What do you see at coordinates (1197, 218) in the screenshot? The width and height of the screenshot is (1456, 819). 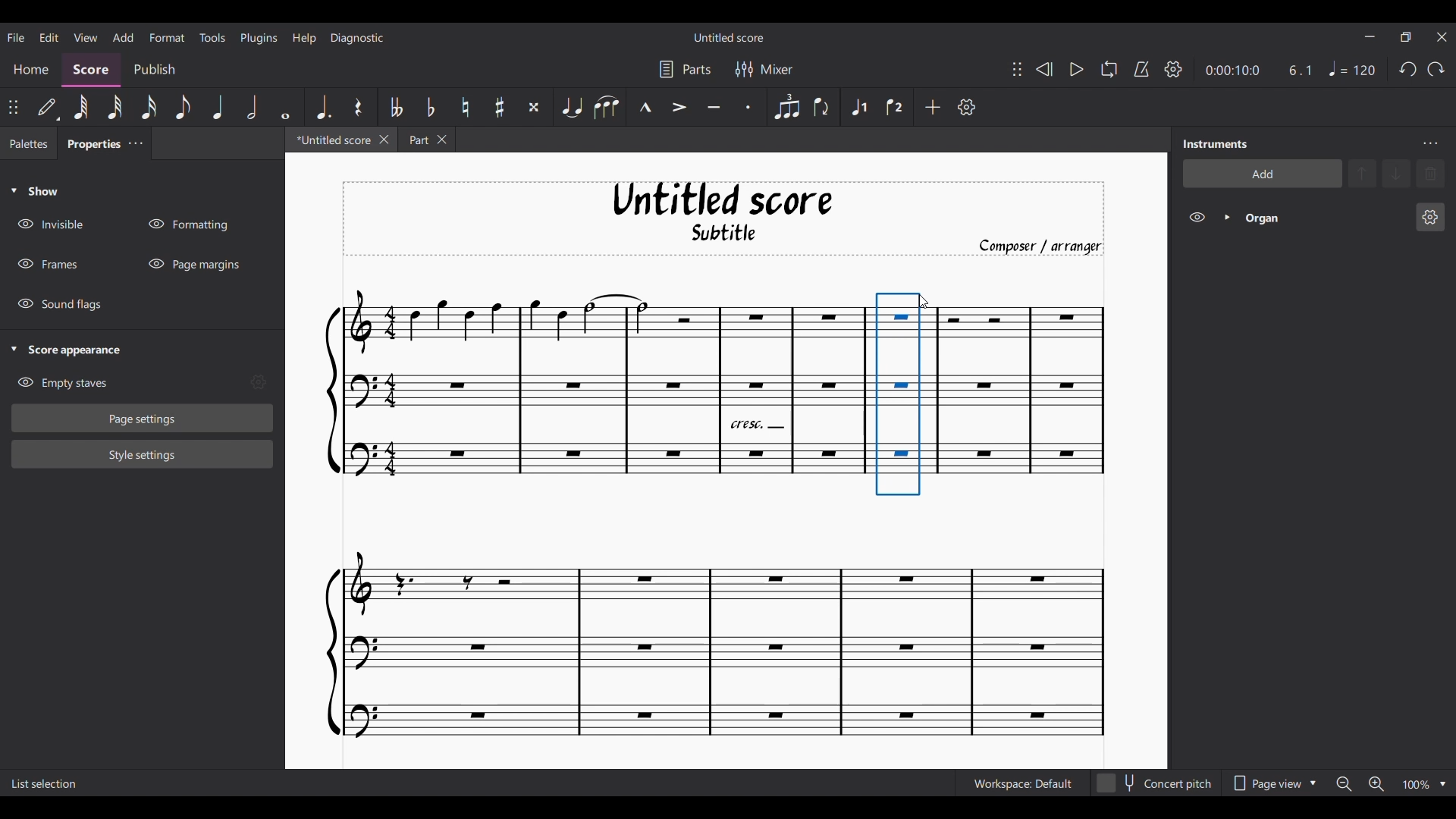 I see `Hide Organs on score` at bounding box center [1197, 218].